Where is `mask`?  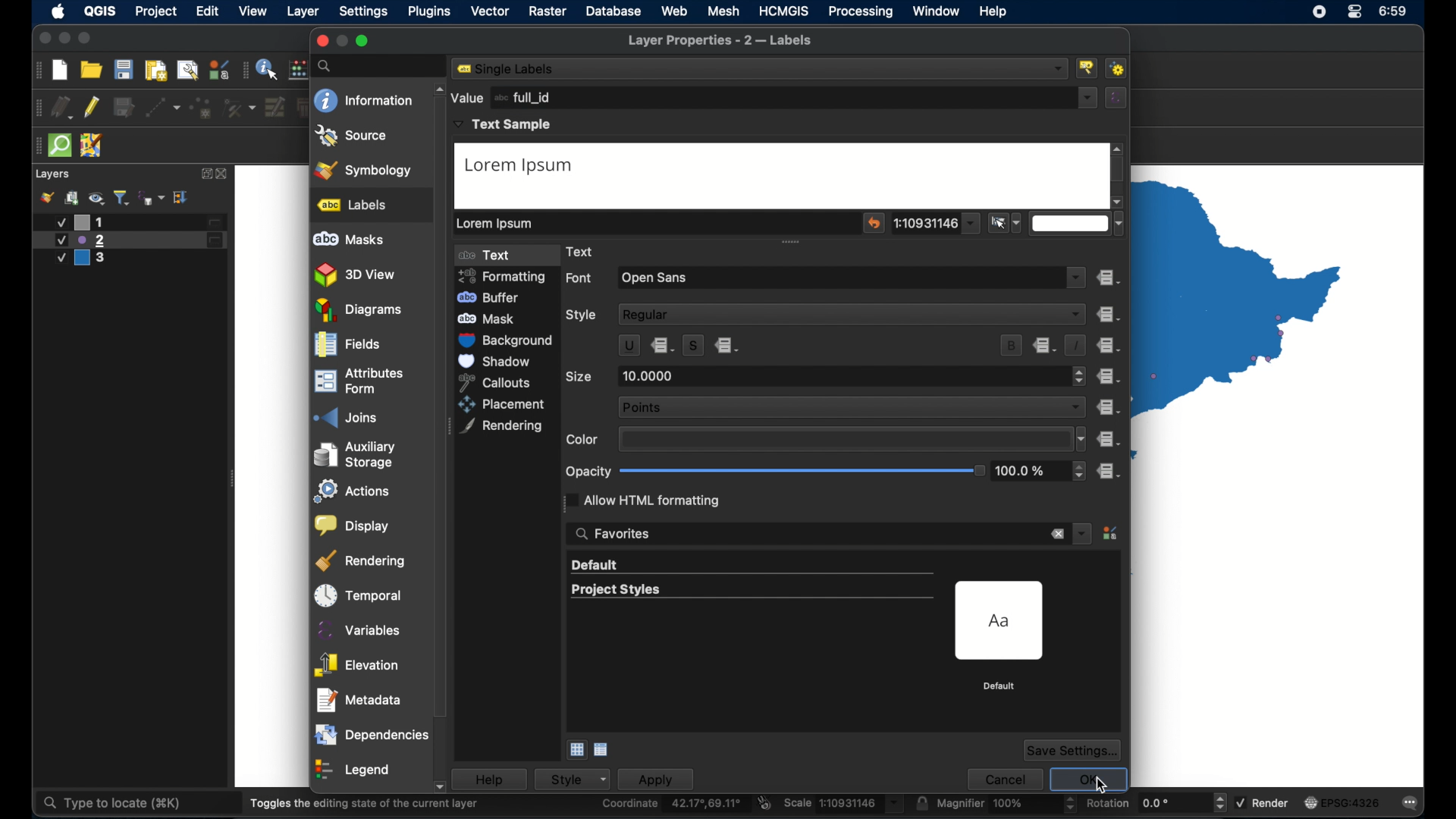 mask is located at coordinates (493, 318).